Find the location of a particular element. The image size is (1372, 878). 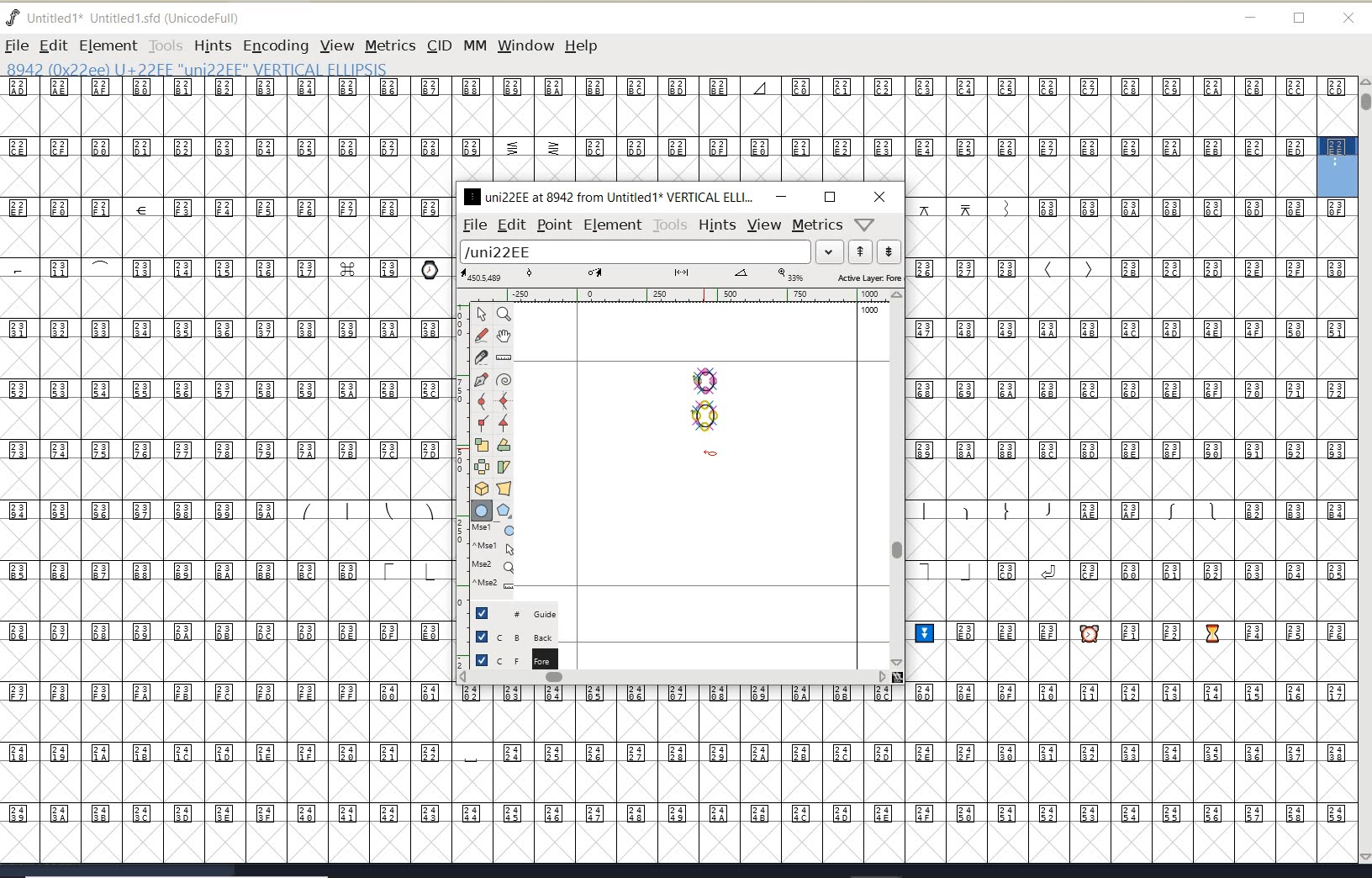

SCALE is located at coordinates (460, 478).